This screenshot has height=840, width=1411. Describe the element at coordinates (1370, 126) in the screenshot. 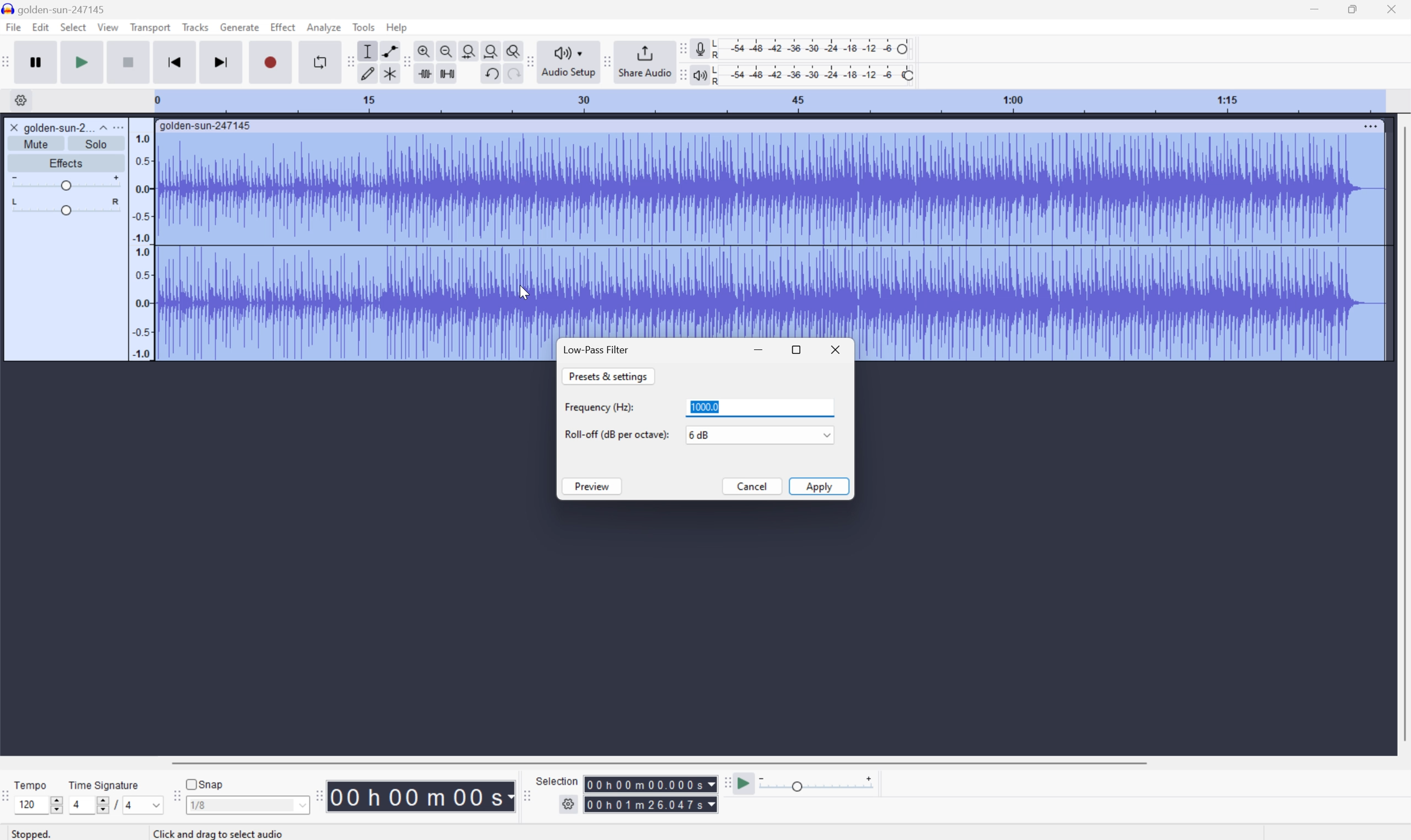

I see `More` at that location.